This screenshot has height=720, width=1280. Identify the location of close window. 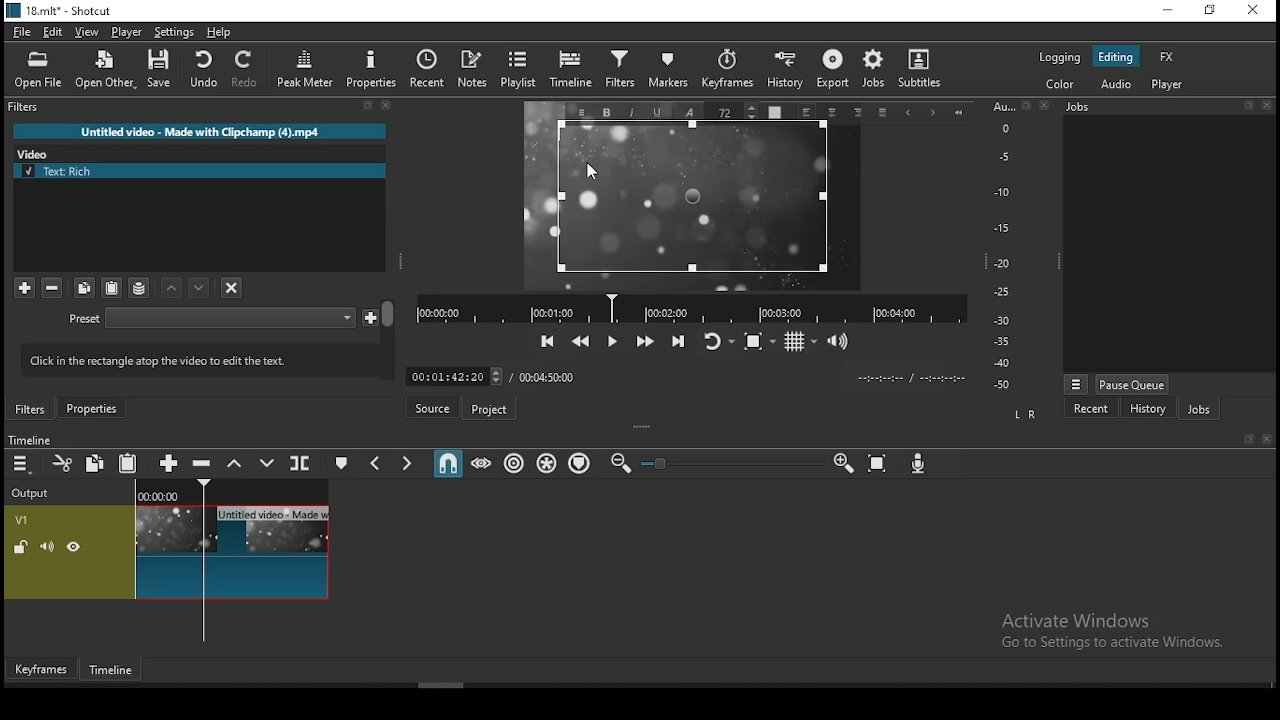
(1255, 10).